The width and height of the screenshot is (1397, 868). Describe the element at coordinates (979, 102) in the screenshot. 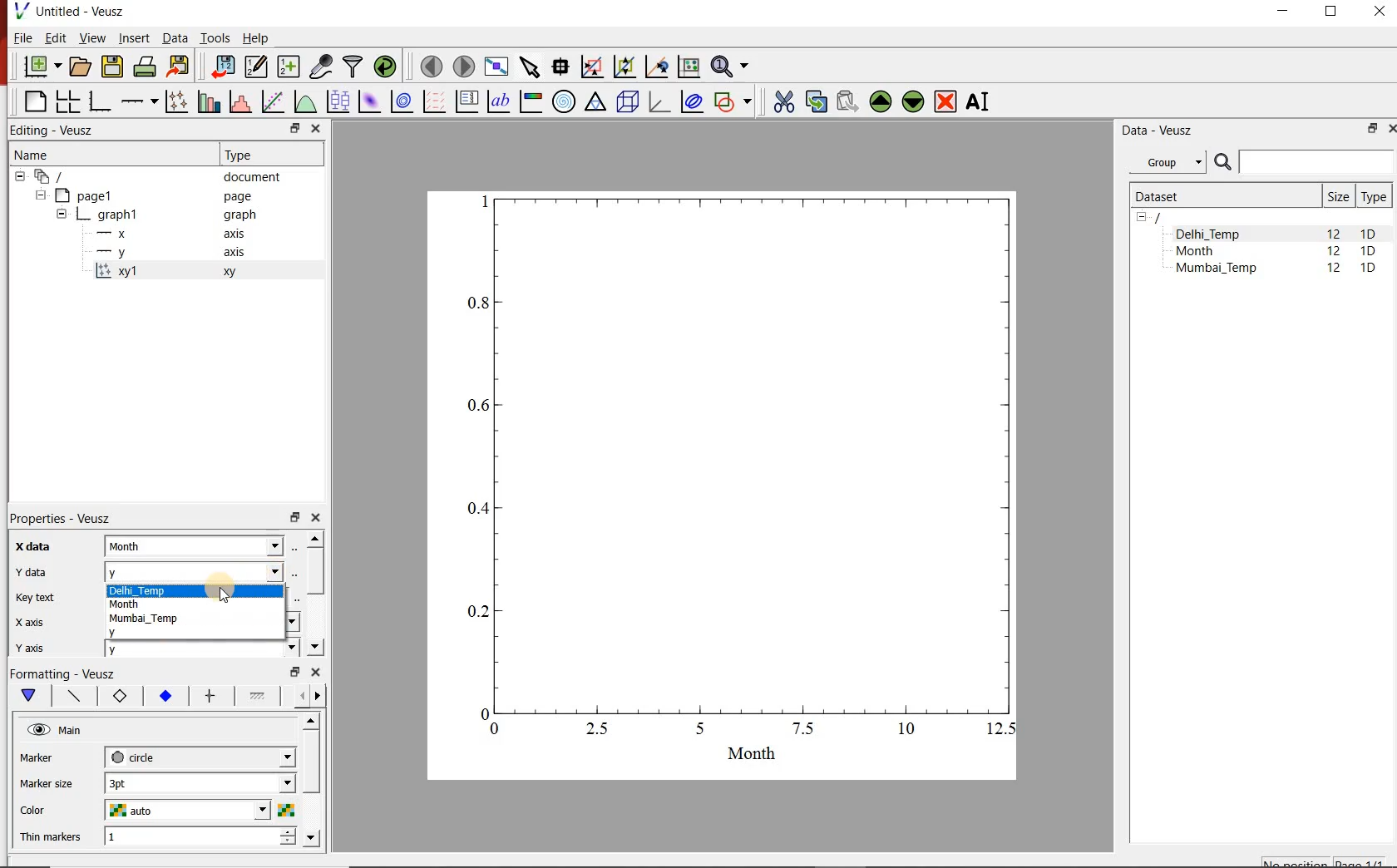

I see `renames the selected widget` at that location.